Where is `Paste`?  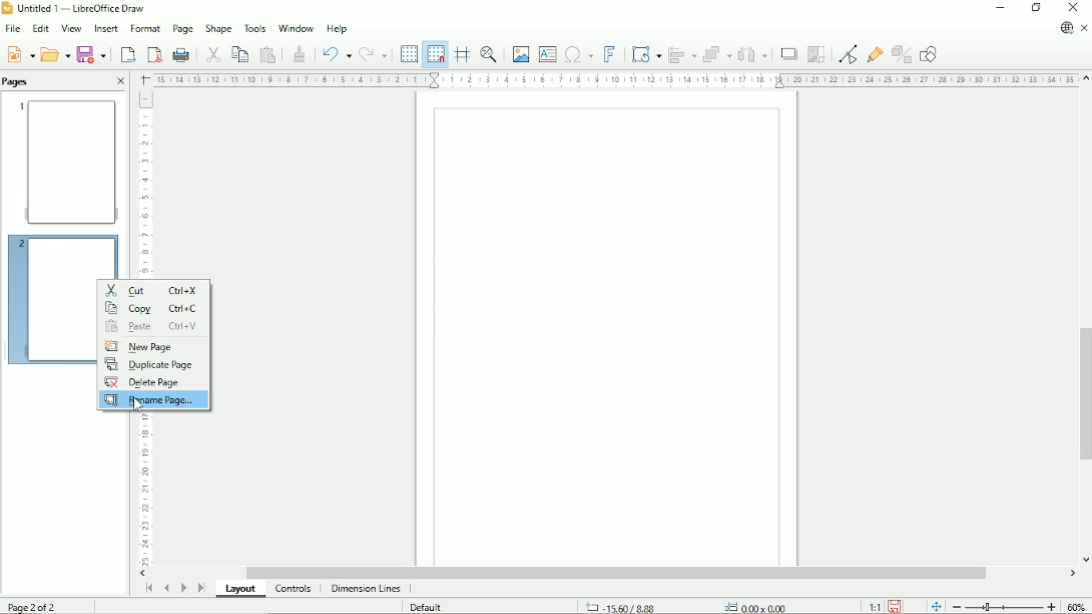 Paste is located at coordinates (268, 54).